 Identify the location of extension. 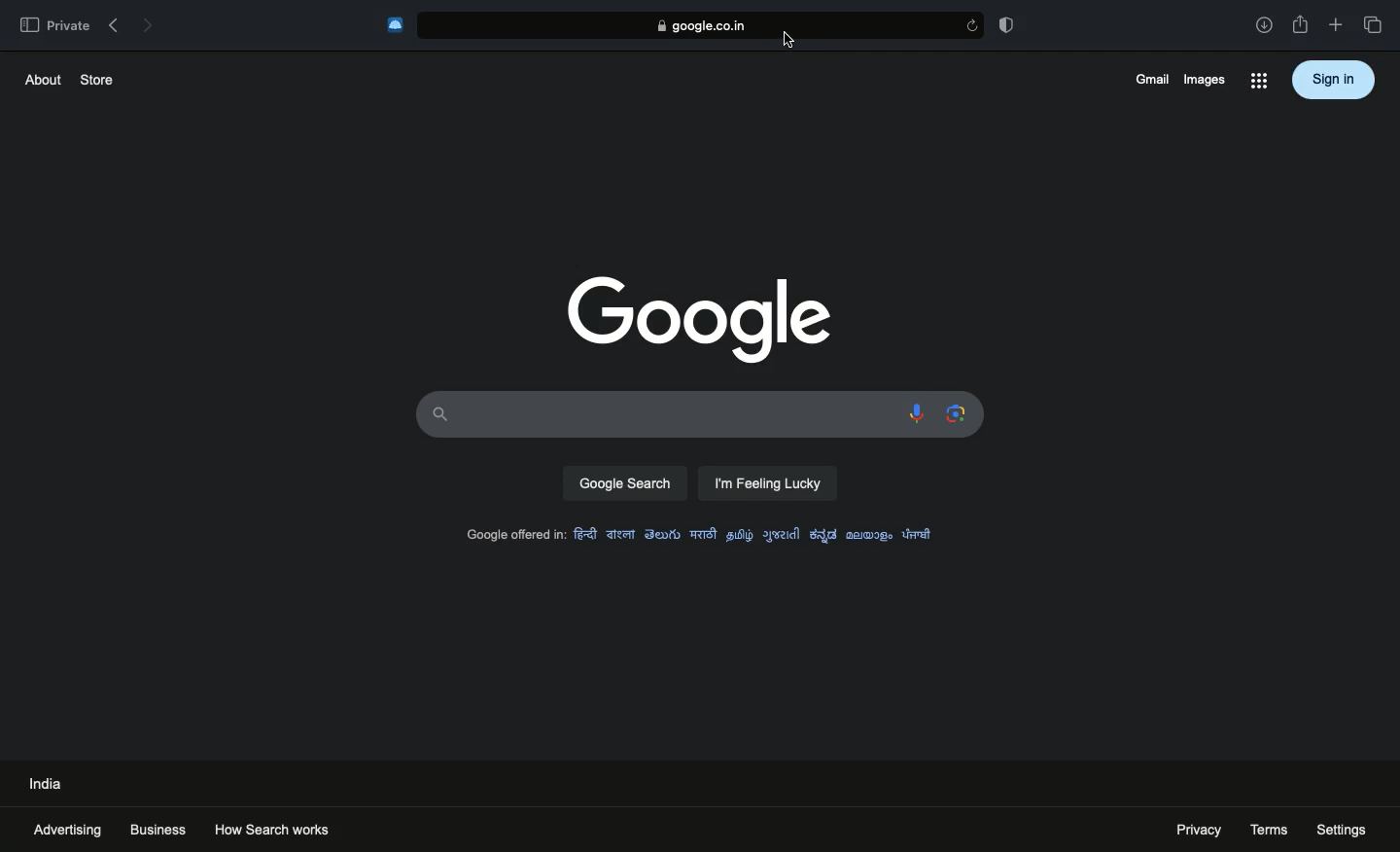
(396, 25).